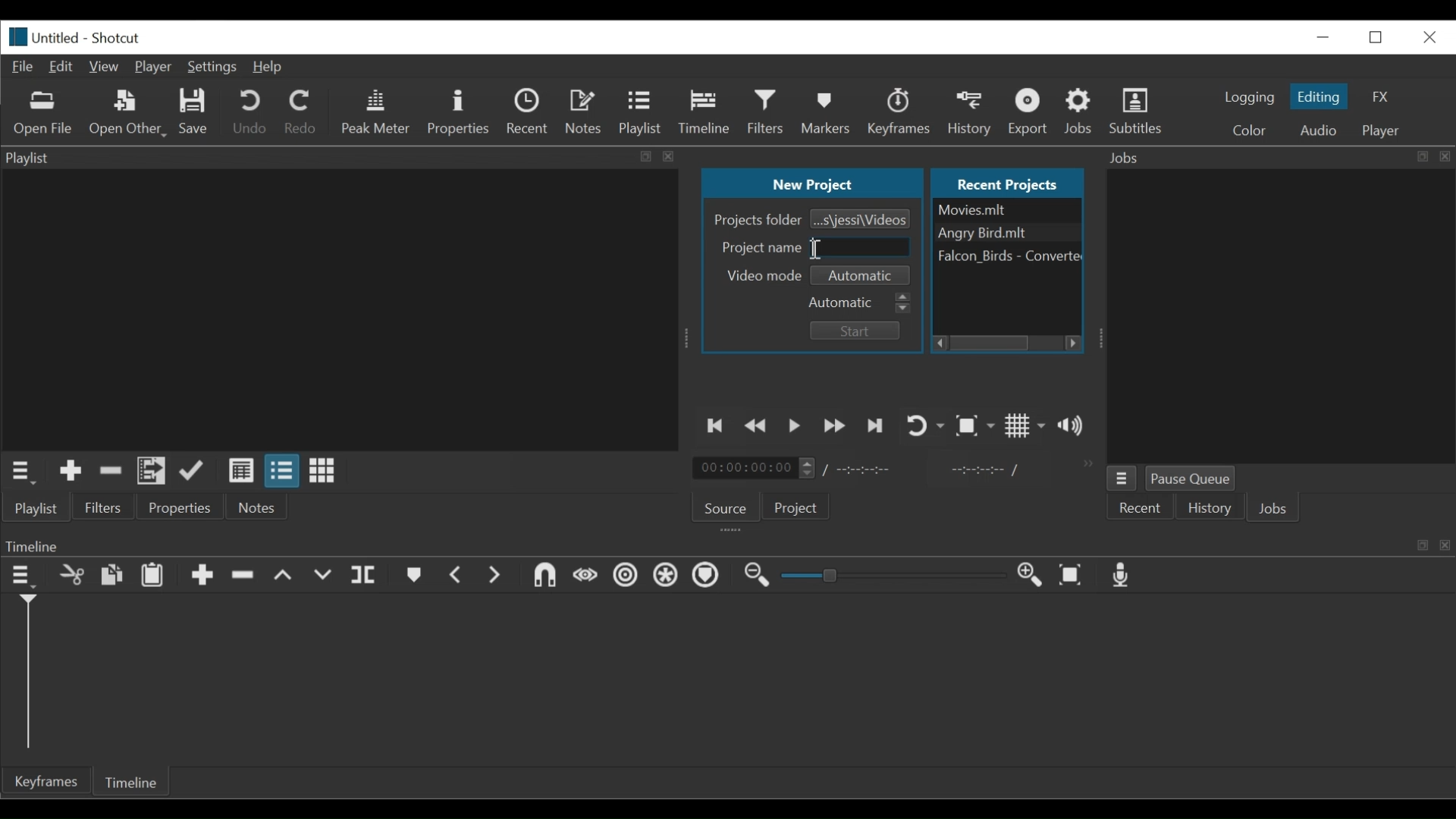 The height and width of the screenshot is (819, 1456). Describe the element at coordinates (1073, 574) in the screenshot. I see `Zoom timeline to fit ` at that location.